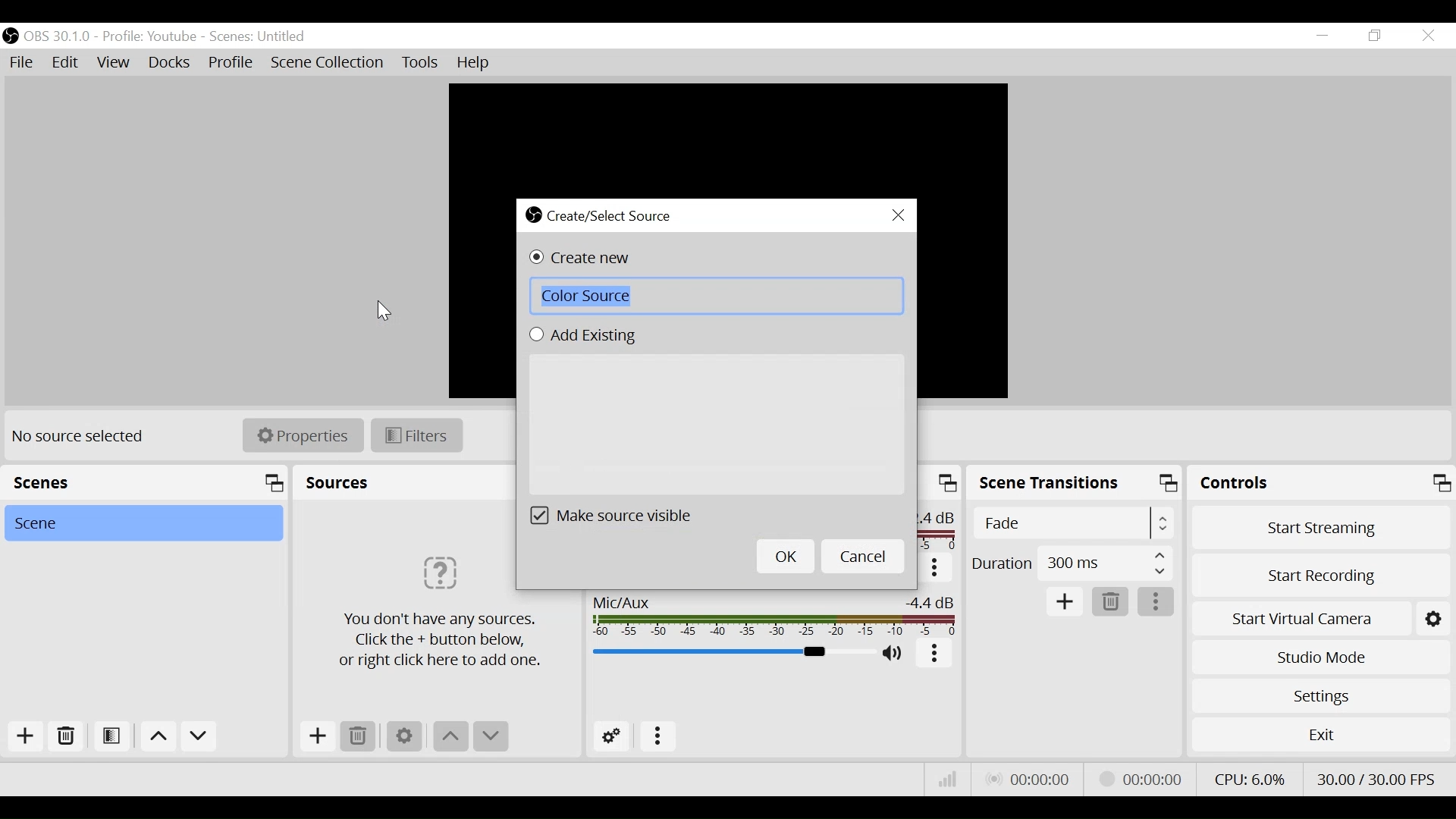 The width and height of the screenshot is (1456, 819). I want to click on OK, so click(784, 556).